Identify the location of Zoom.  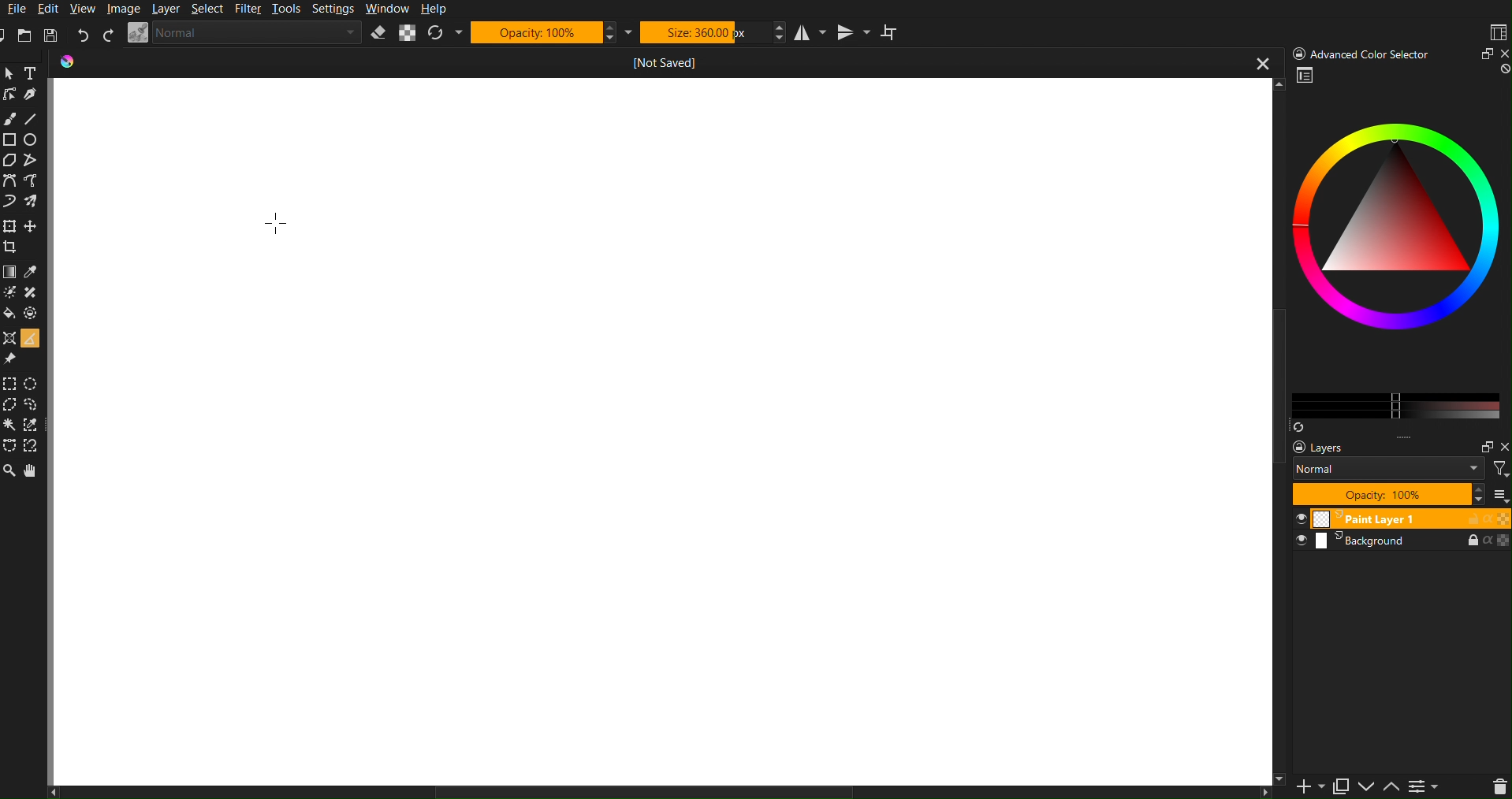
(10, 73).